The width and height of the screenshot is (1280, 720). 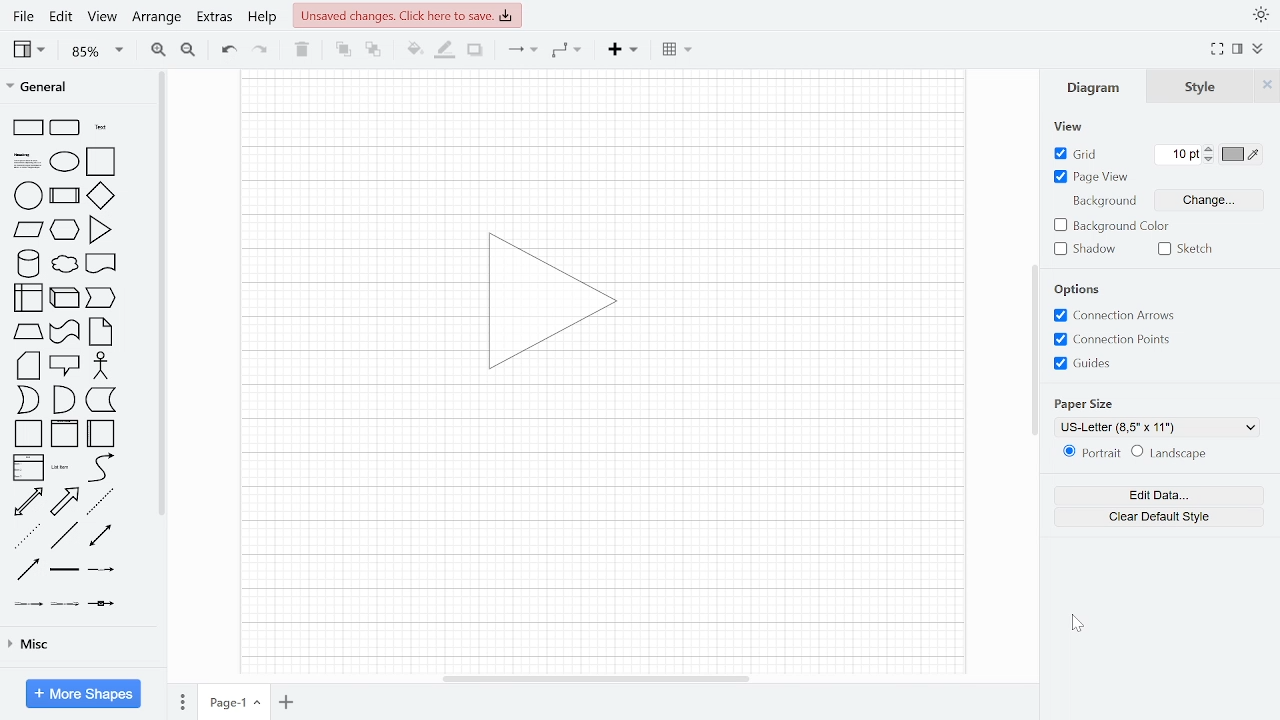 What do you see at coordinates (475, 50) in the screenshot?
I see `Shadow ` at bounding box center [475, 50].